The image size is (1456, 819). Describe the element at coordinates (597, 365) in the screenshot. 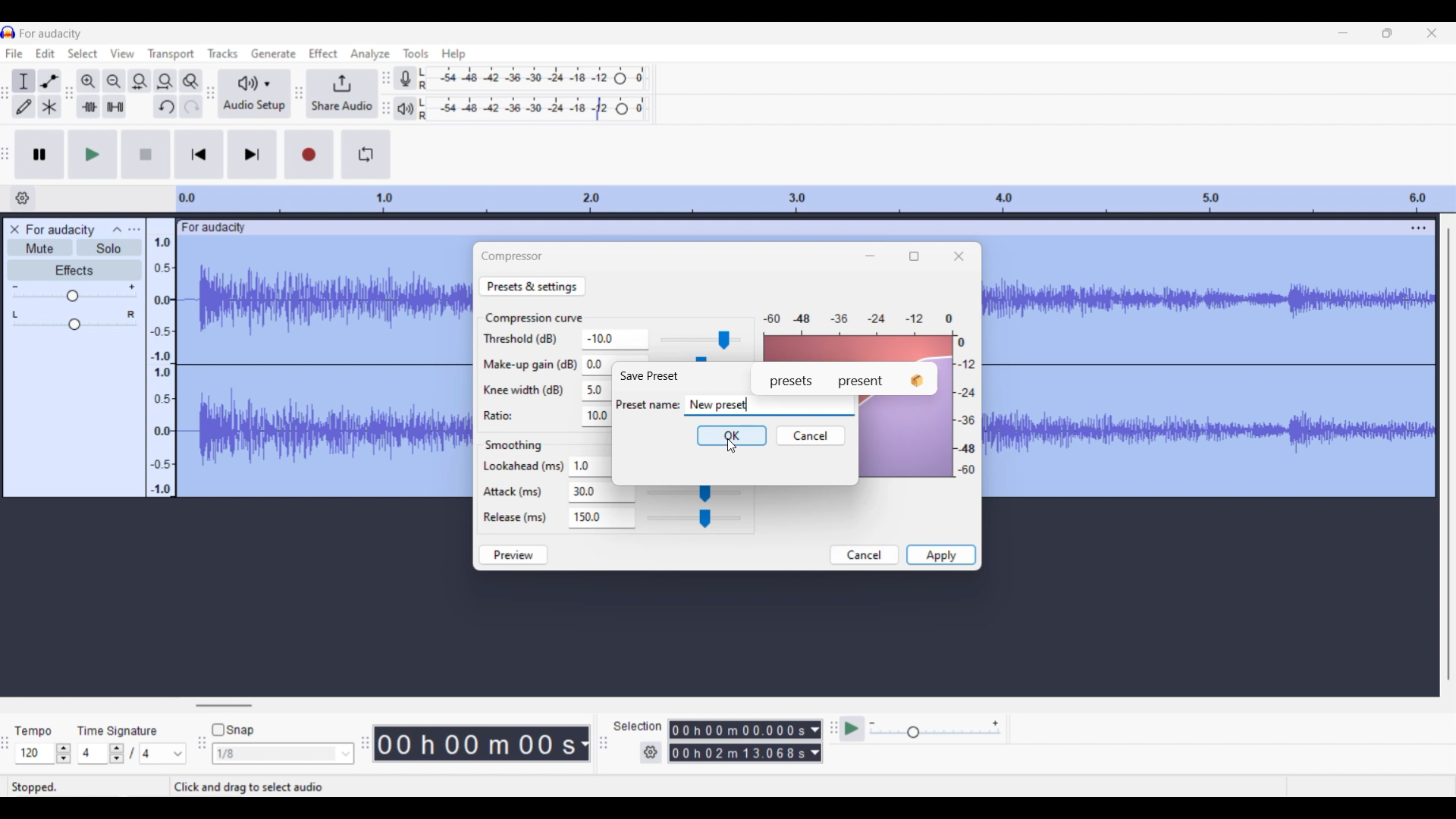

I see `Text box for make up gain` at that location.